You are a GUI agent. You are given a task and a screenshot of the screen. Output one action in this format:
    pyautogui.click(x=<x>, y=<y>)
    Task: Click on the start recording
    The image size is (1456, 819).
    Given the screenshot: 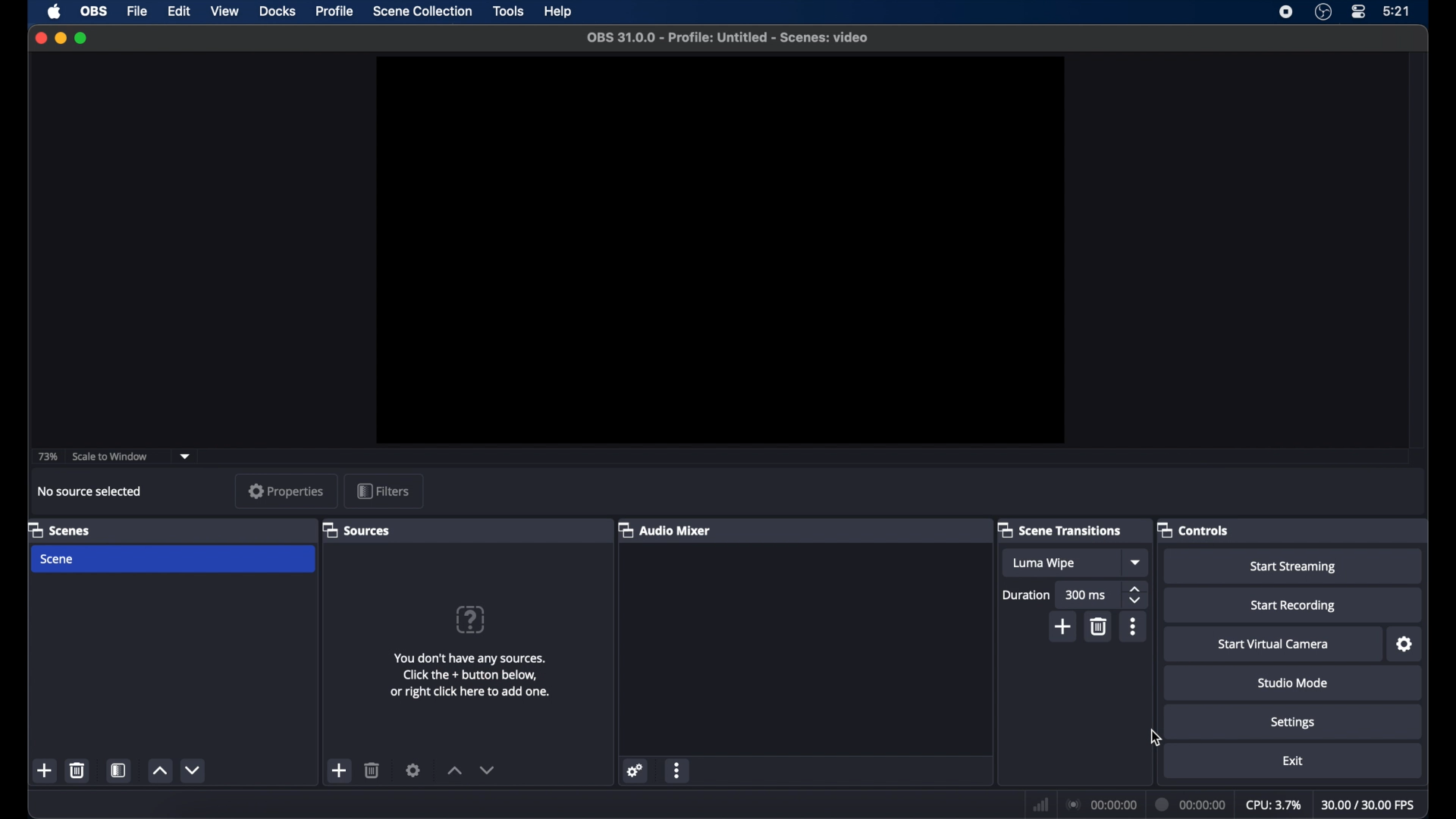 What is the action you would take?
    pyautogui.click(x=1292, y=607)
    